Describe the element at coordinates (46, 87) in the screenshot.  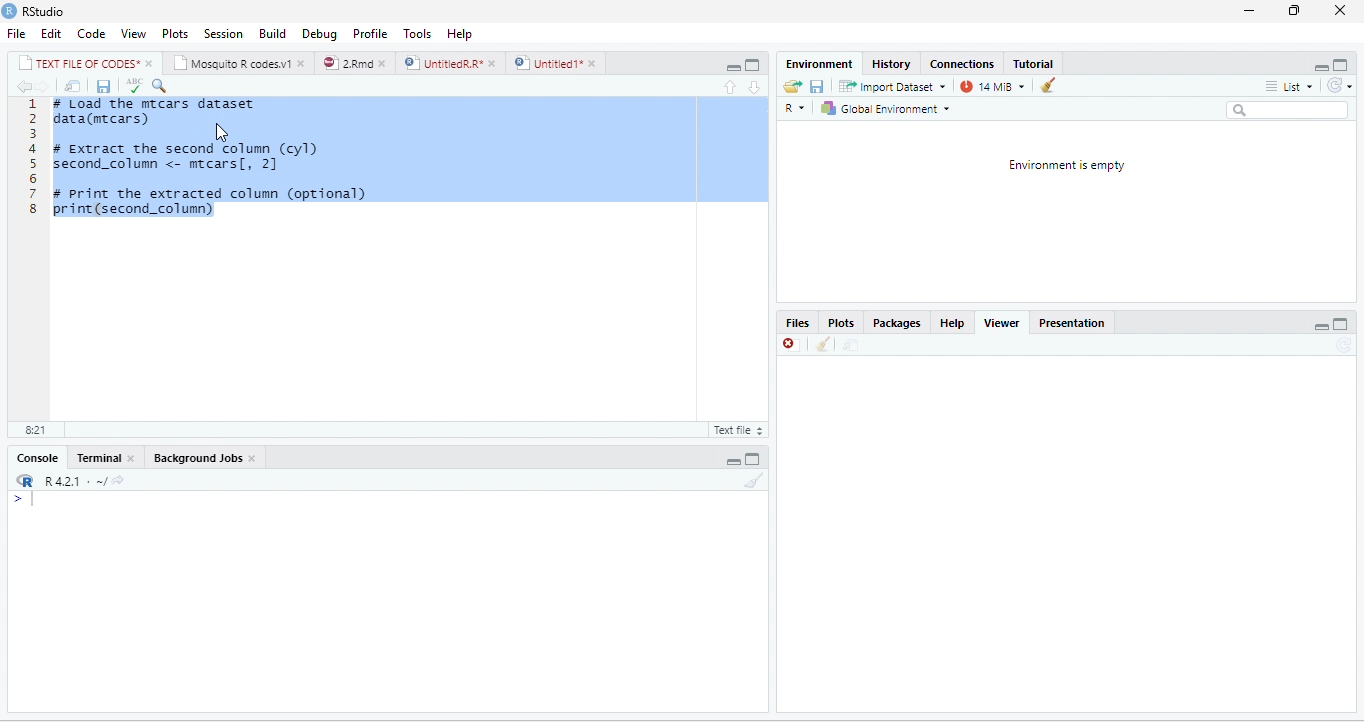
I see `next` at that location.